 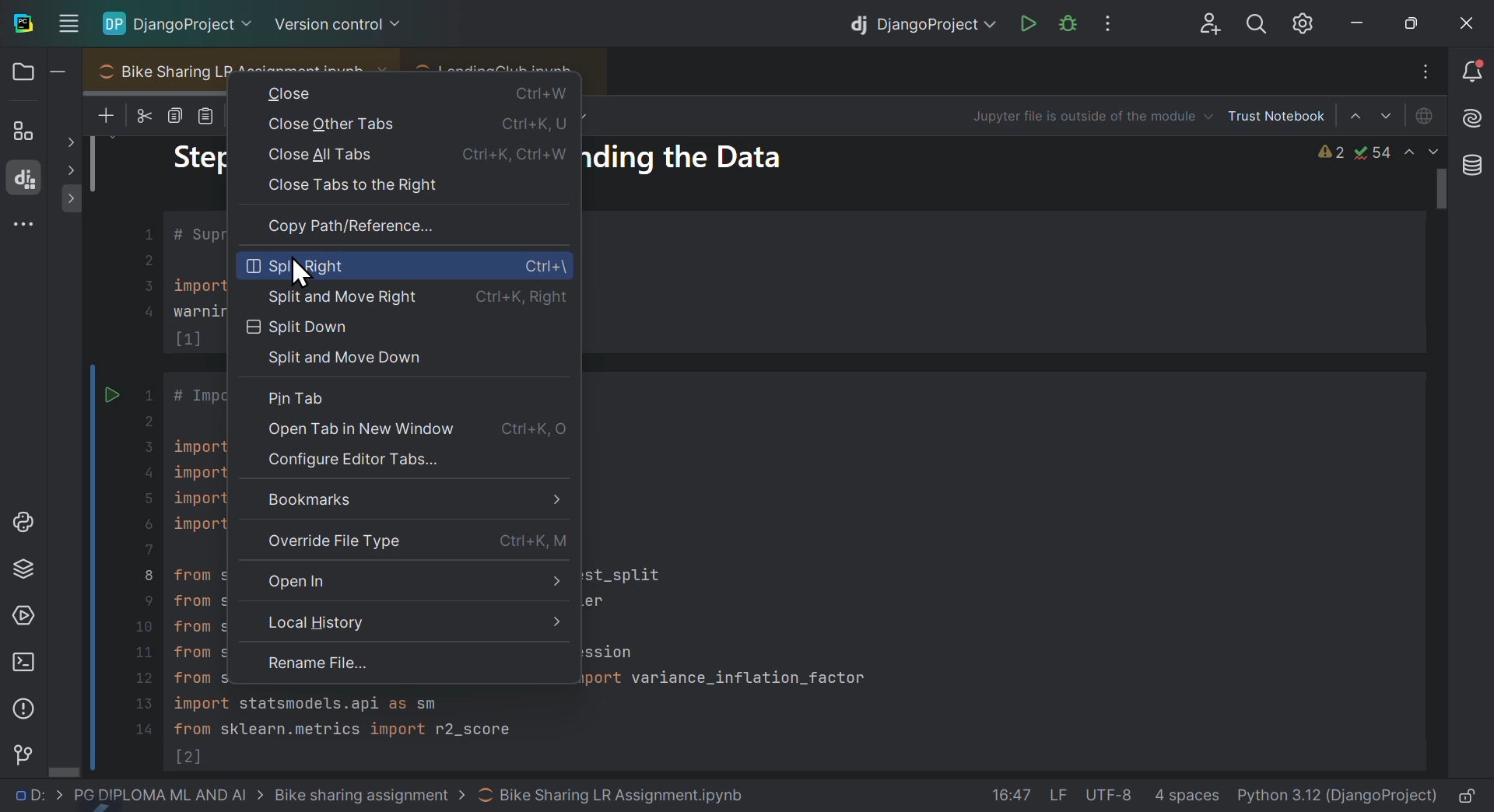 What do you see at coordinates (22, 226) in the screenshot?
I see `More windows tools` at bounding box center [22, 226].